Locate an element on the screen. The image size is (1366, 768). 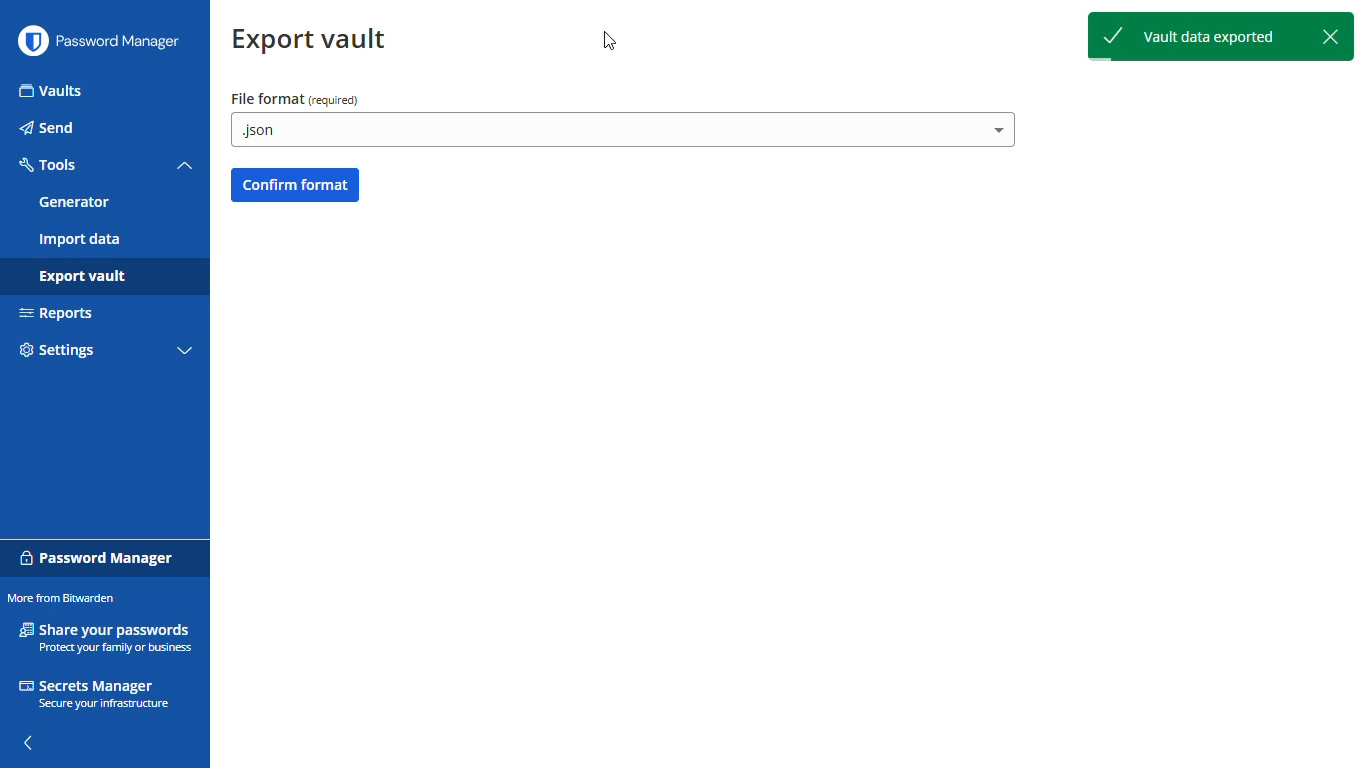
toggle collapse is located at coordinates (185, 352).